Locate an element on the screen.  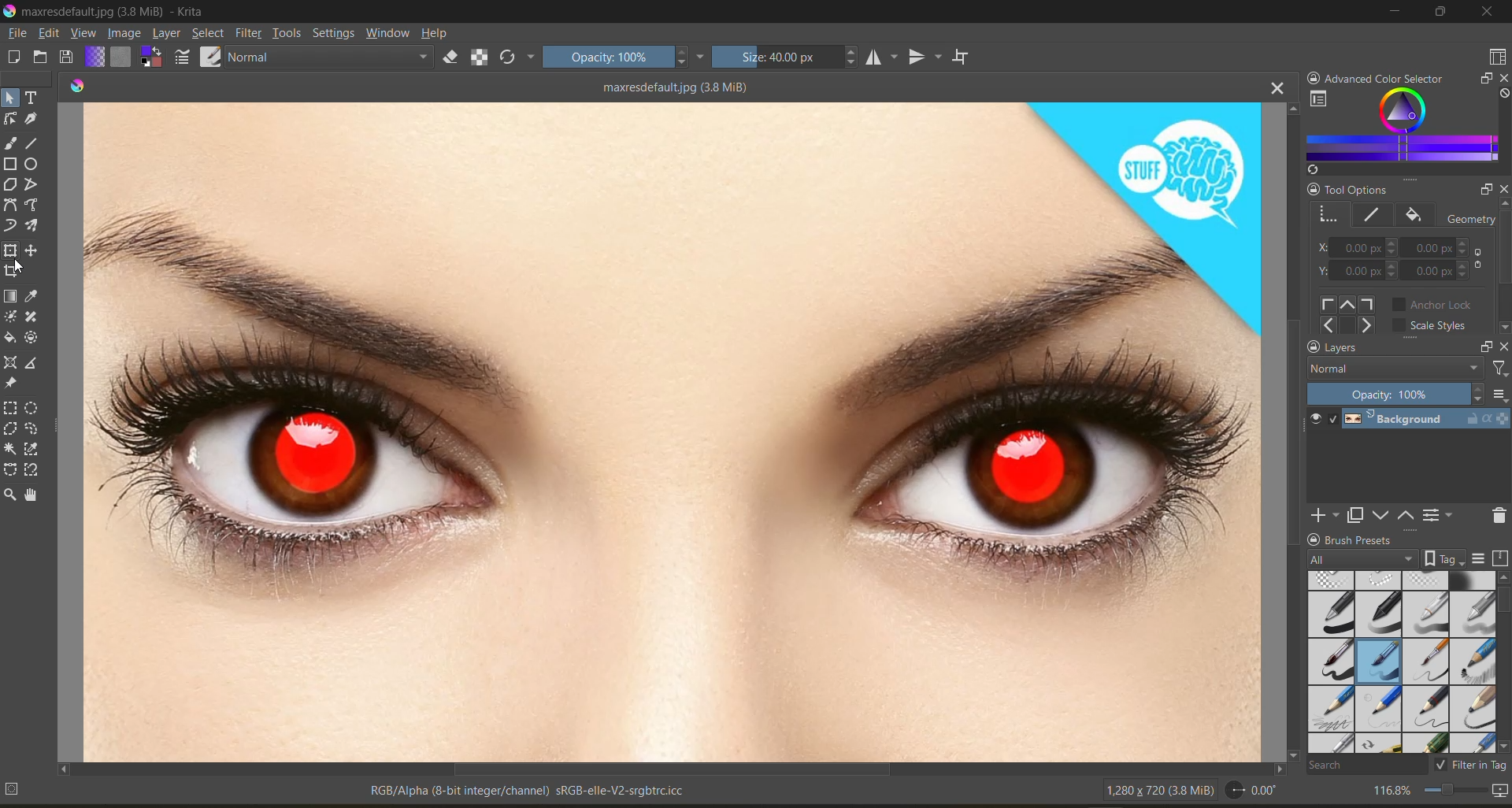
tool is located at coordinates (9, 384).